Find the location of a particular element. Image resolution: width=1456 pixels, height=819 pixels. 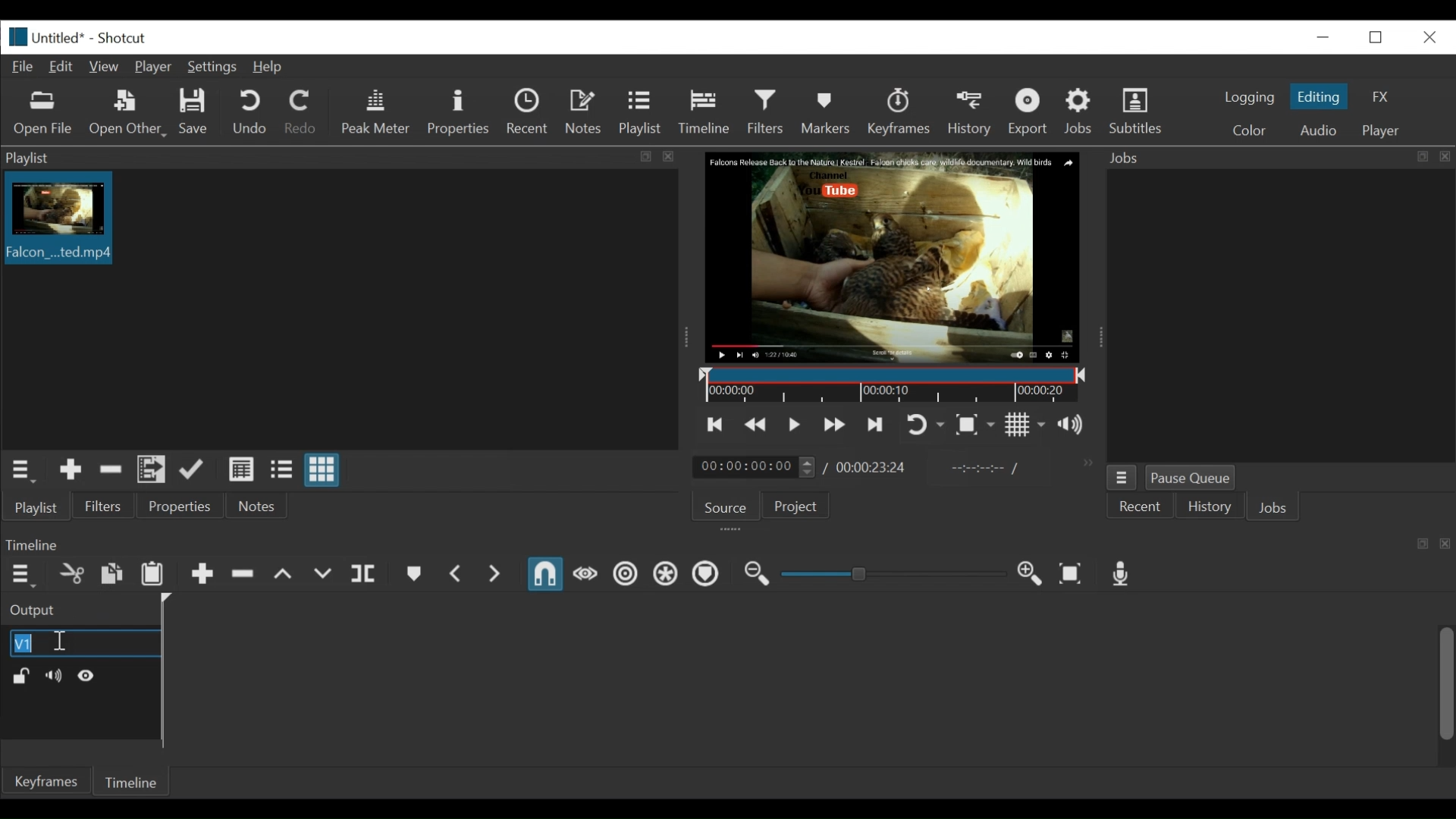

Edit is located at coordinates (63, 67).